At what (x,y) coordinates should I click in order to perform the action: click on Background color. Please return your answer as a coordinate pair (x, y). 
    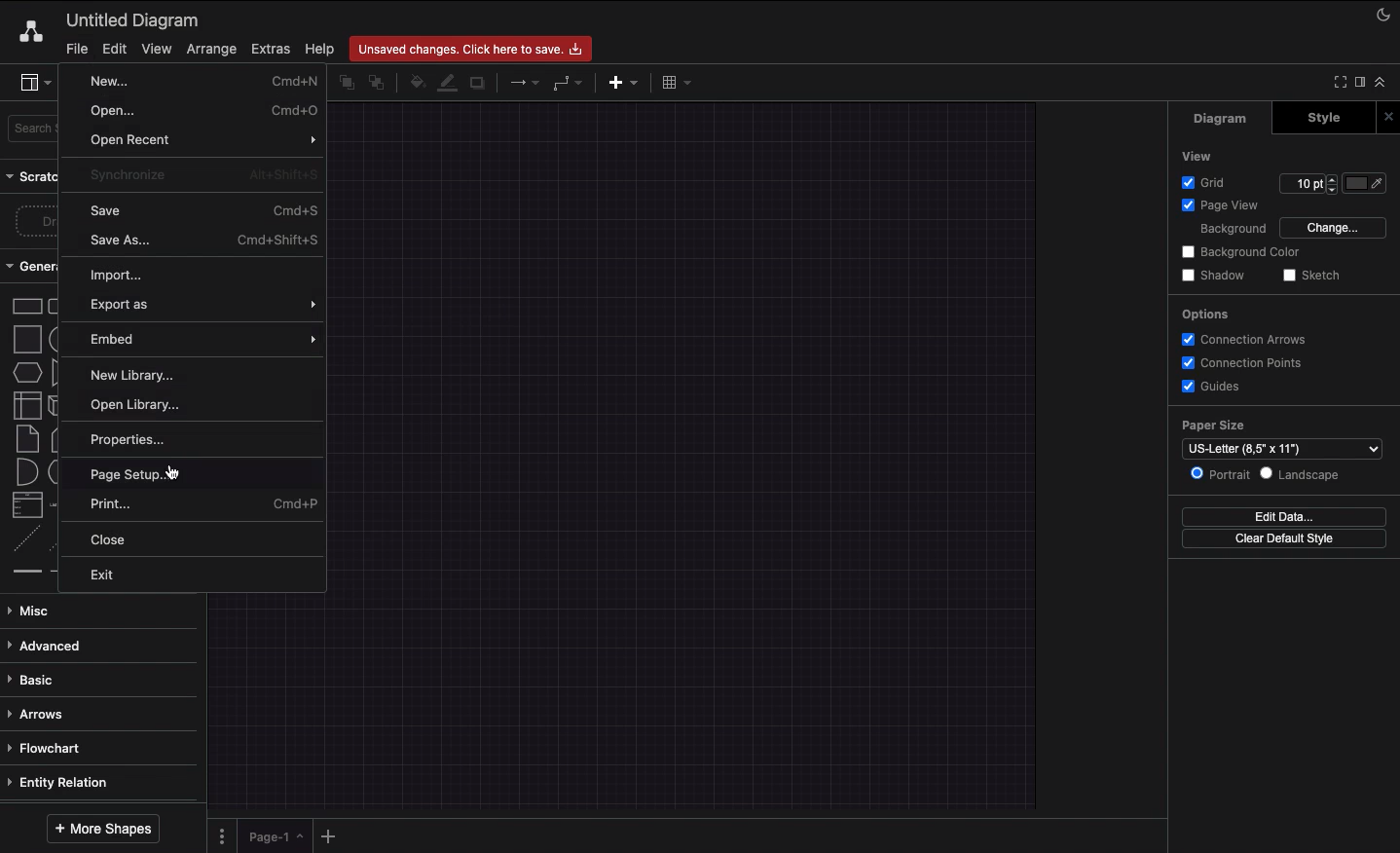
    Looking at the image, I should click on (1243, 252).